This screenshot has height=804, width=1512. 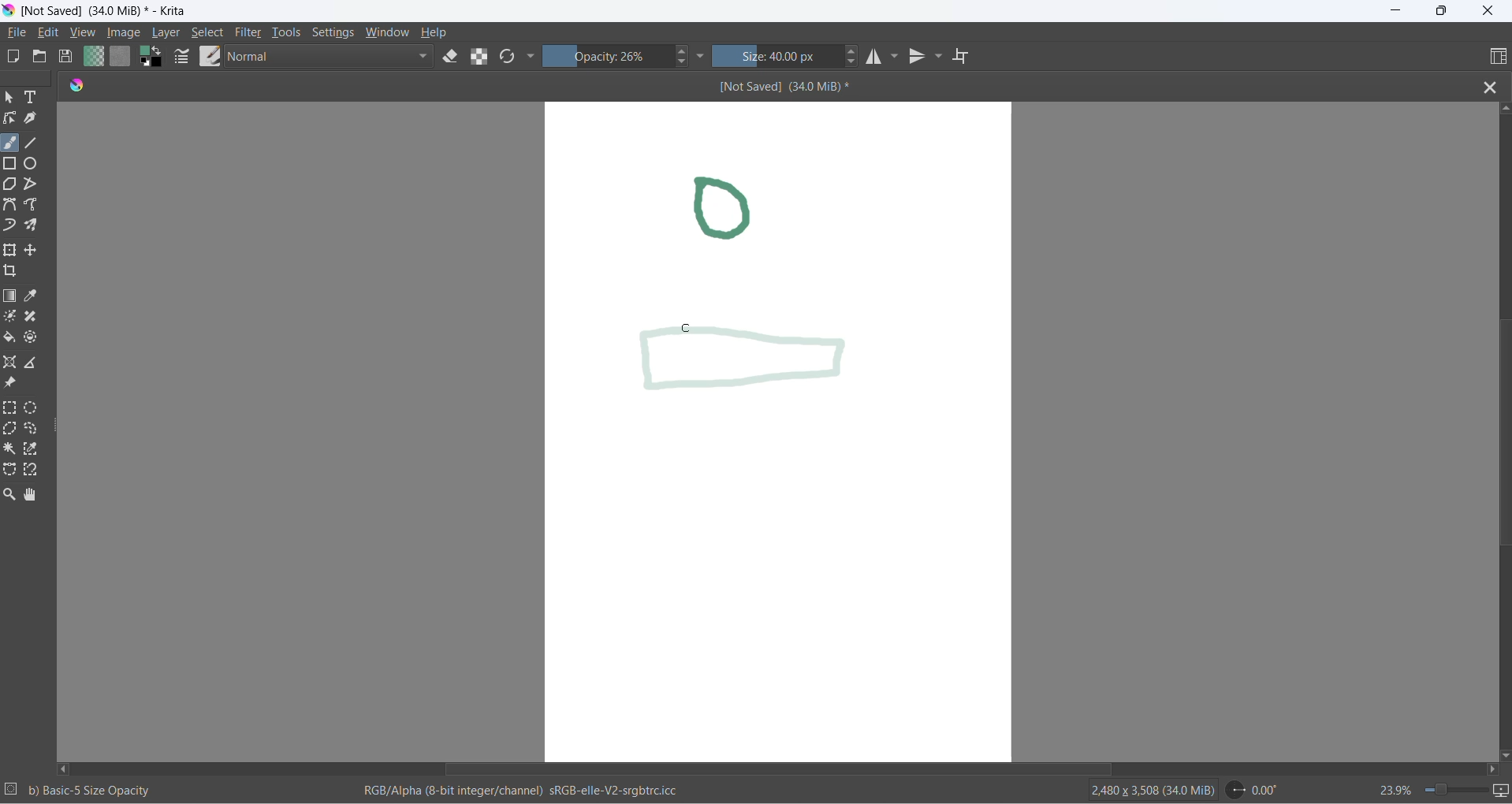 I want to click on new document, so click(x=17, y=57).